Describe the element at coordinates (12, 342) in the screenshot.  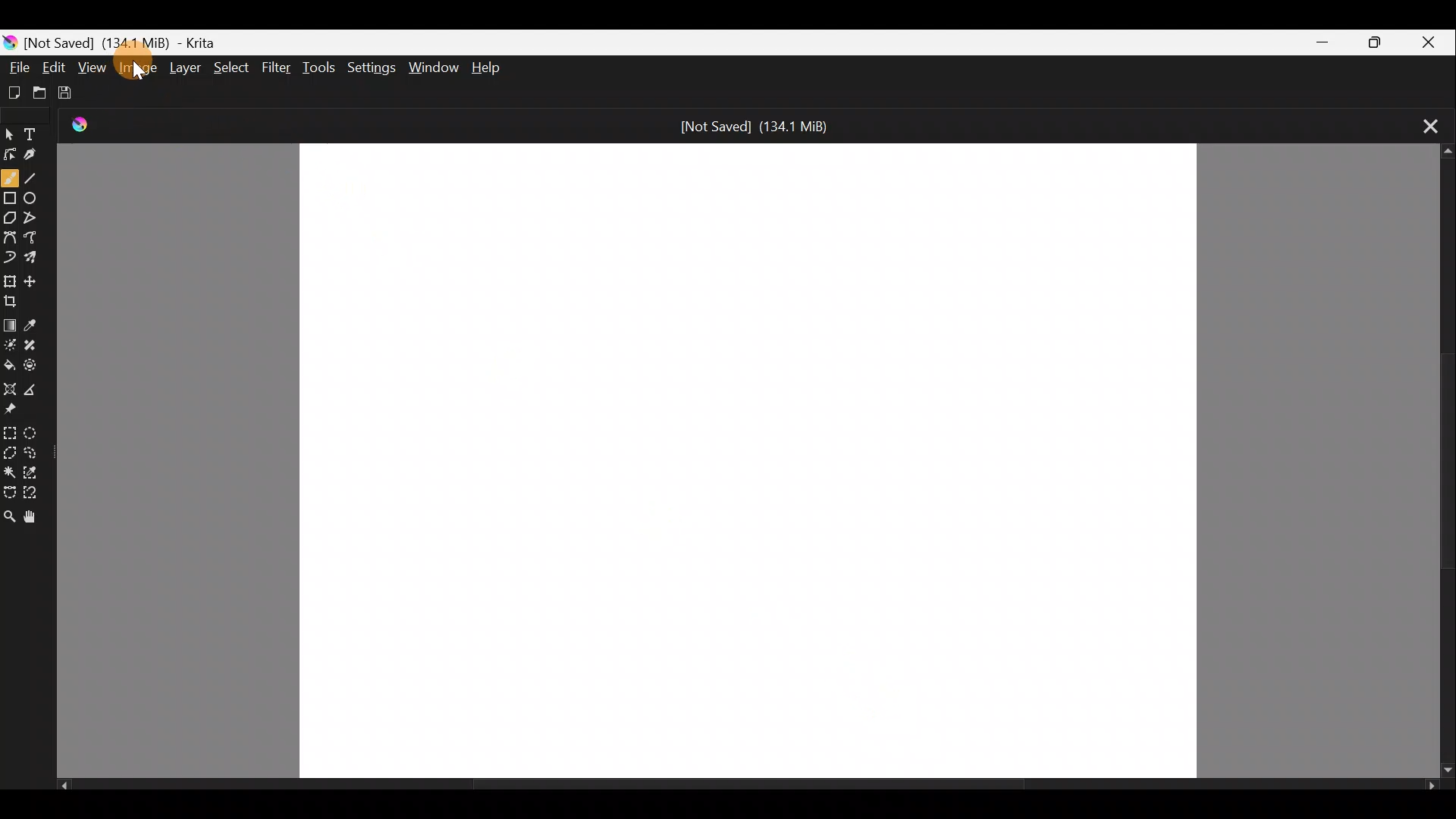
I see `Colourise mask tool` at that location.